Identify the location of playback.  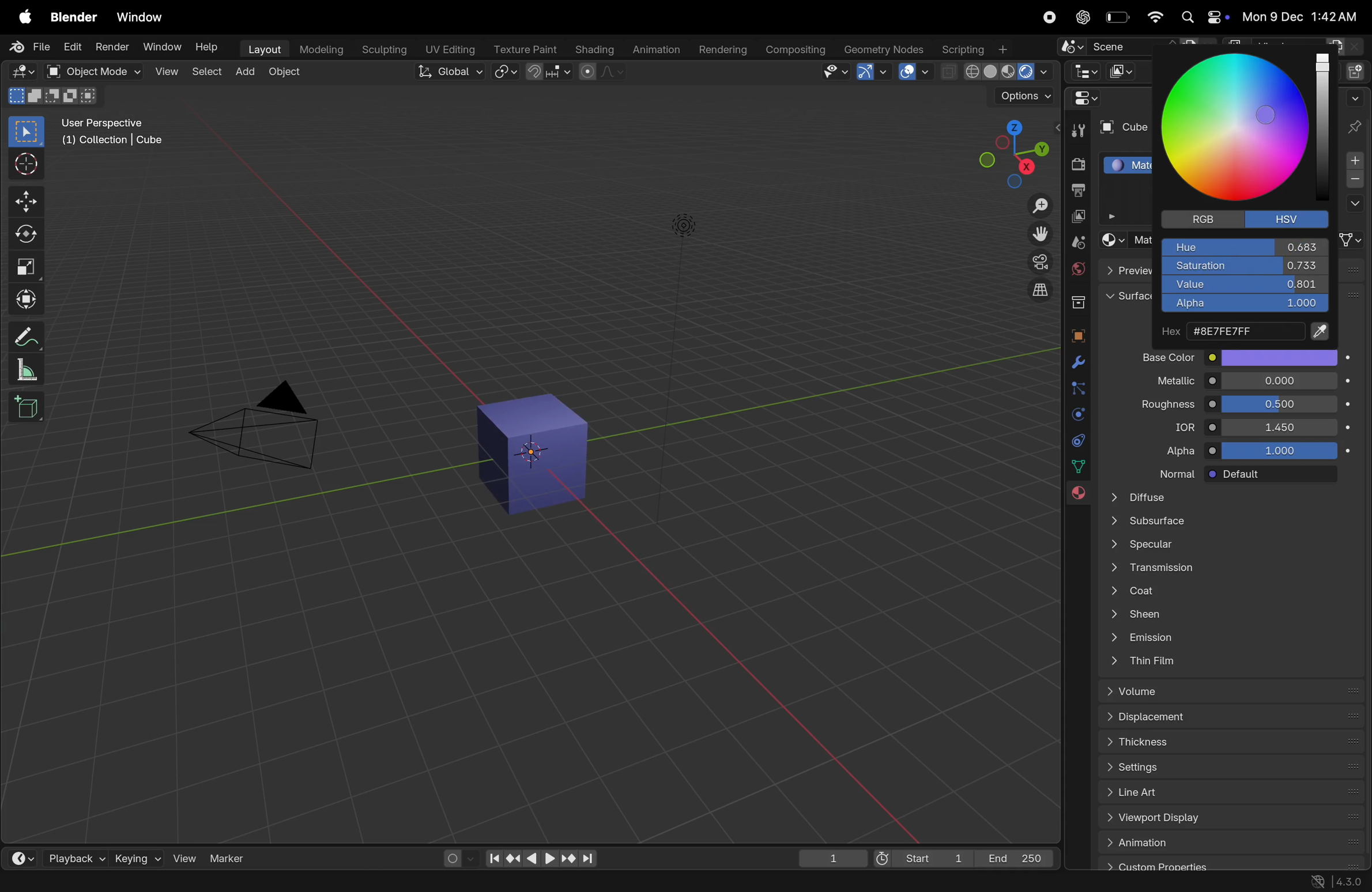
(62, 856).